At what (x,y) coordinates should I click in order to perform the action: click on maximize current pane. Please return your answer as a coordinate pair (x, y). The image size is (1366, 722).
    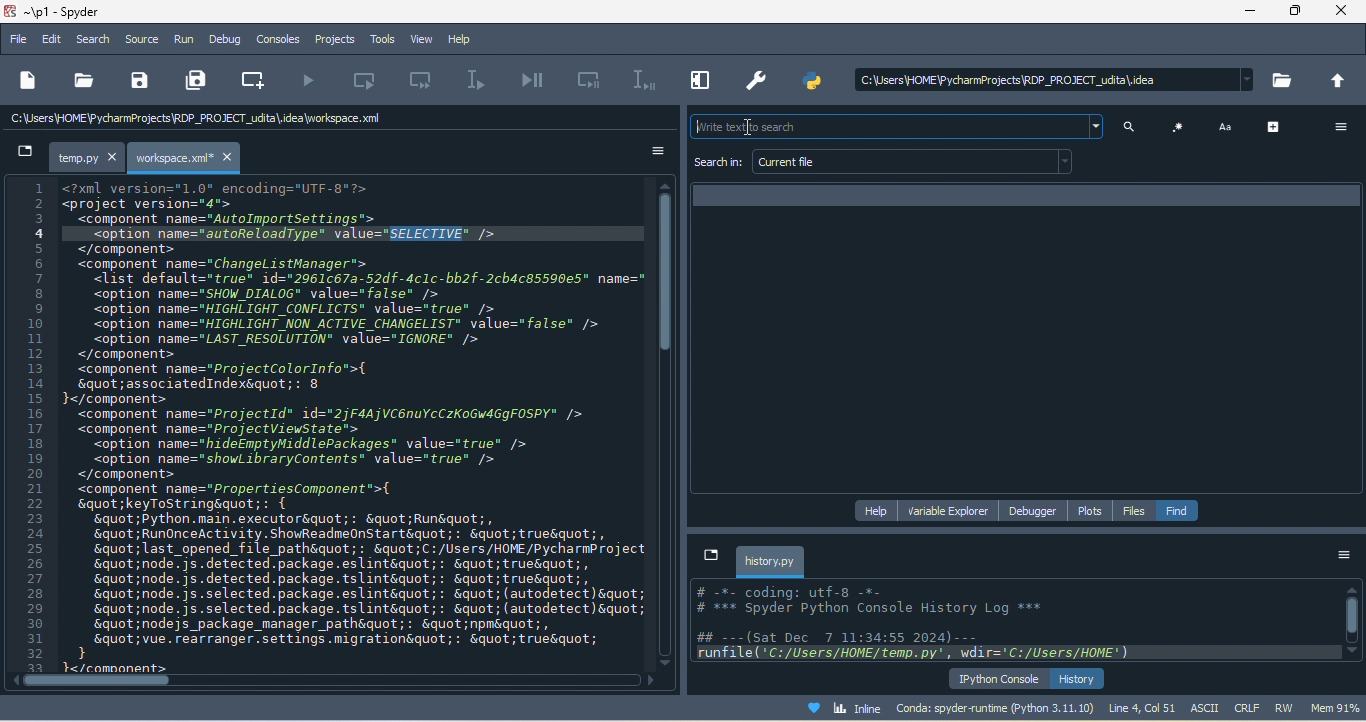
    Looking at the image, I should click on (697, 83).